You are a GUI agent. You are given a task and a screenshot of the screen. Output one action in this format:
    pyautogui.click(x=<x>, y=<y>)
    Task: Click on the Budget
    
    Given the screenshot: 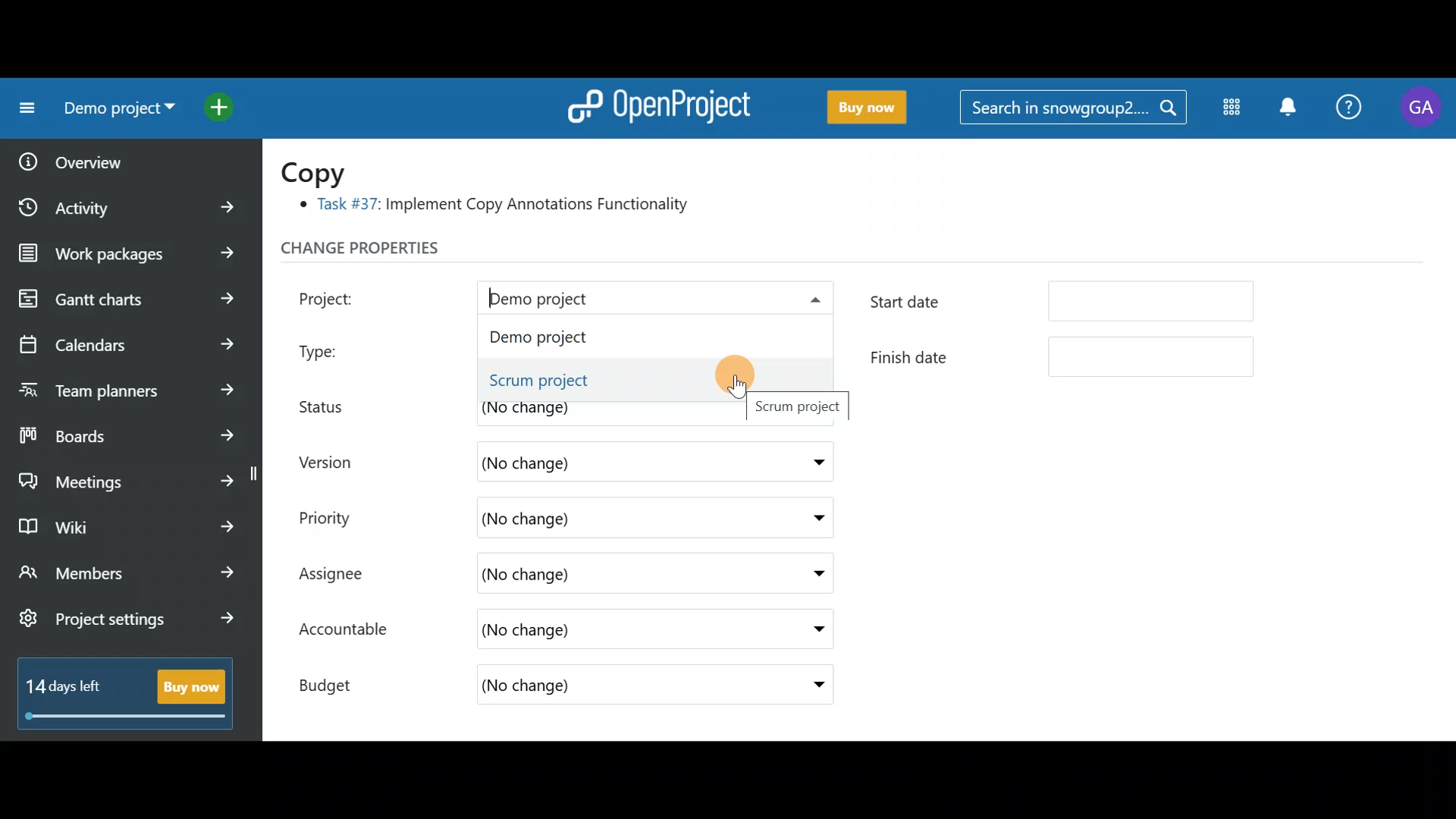 What is the action you would take?
    pyautogui.click(x=340, y=681)
    